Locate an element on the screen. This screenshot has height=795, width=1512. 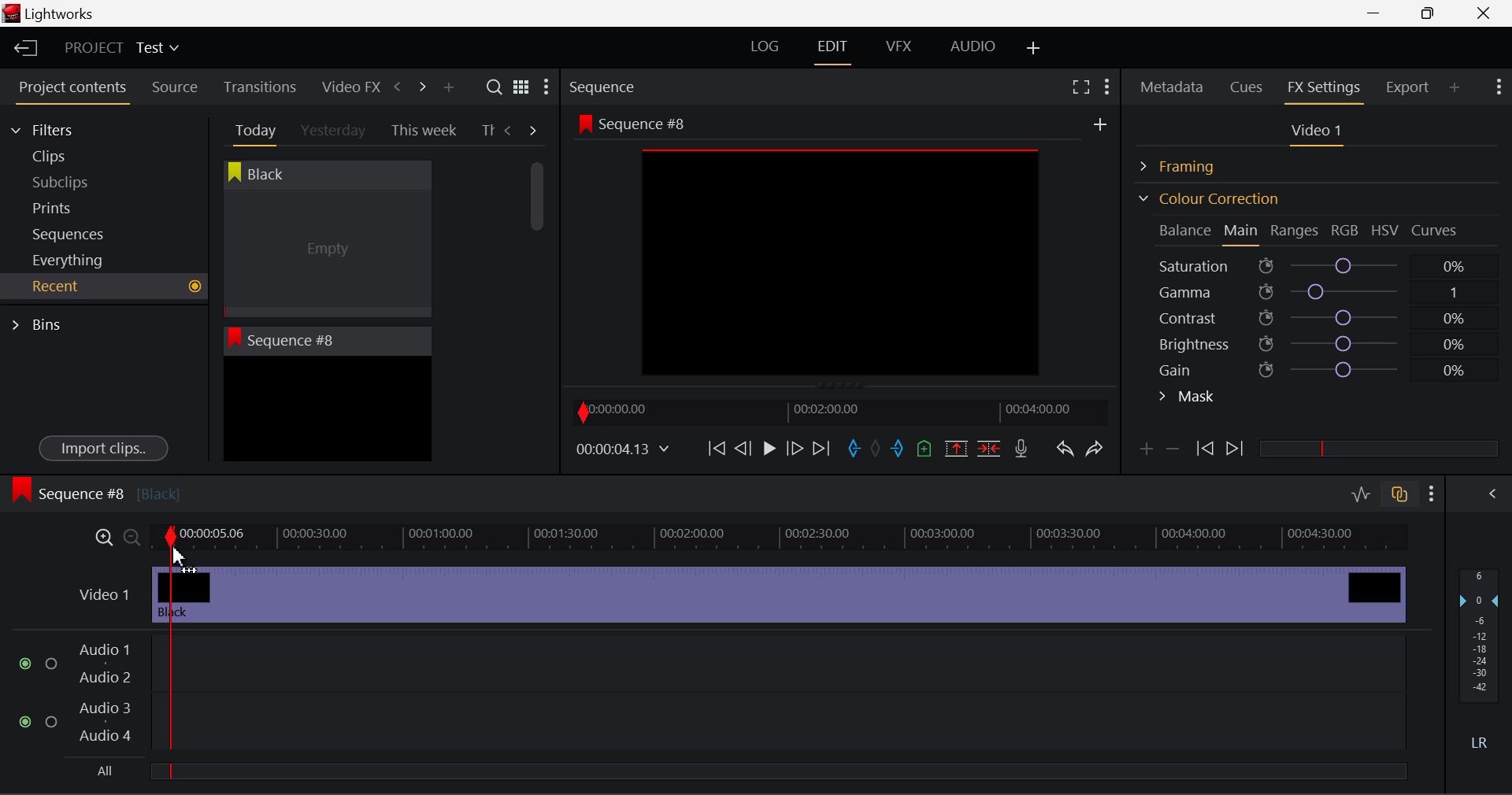
Next keyframe is located at coordinates (1236, 449).